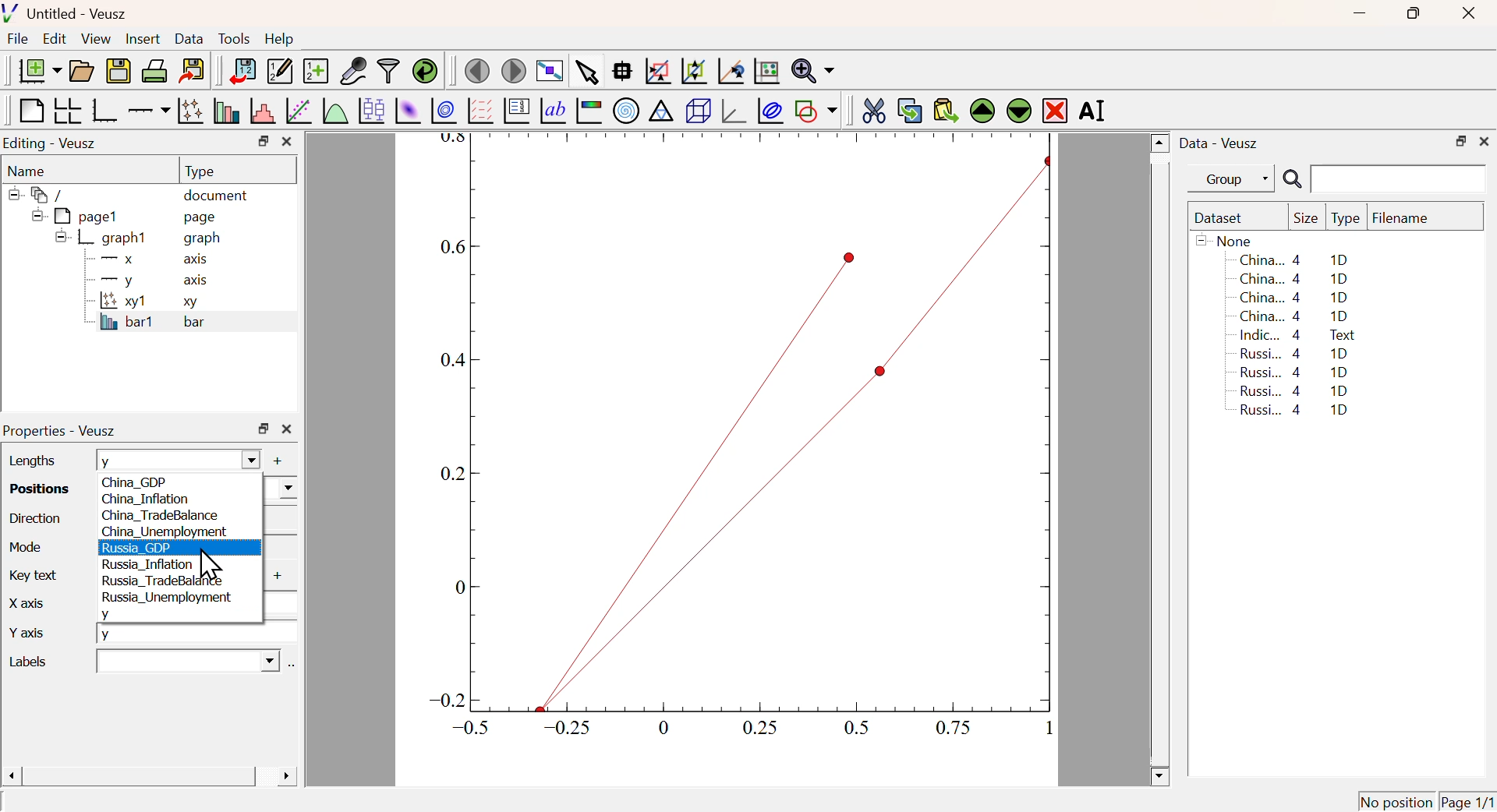 The height and width of the screenshot is (812, 1497). Describe the element at coordinates (140, 548) in the screenshot. I see `Russia GDP` at that location.